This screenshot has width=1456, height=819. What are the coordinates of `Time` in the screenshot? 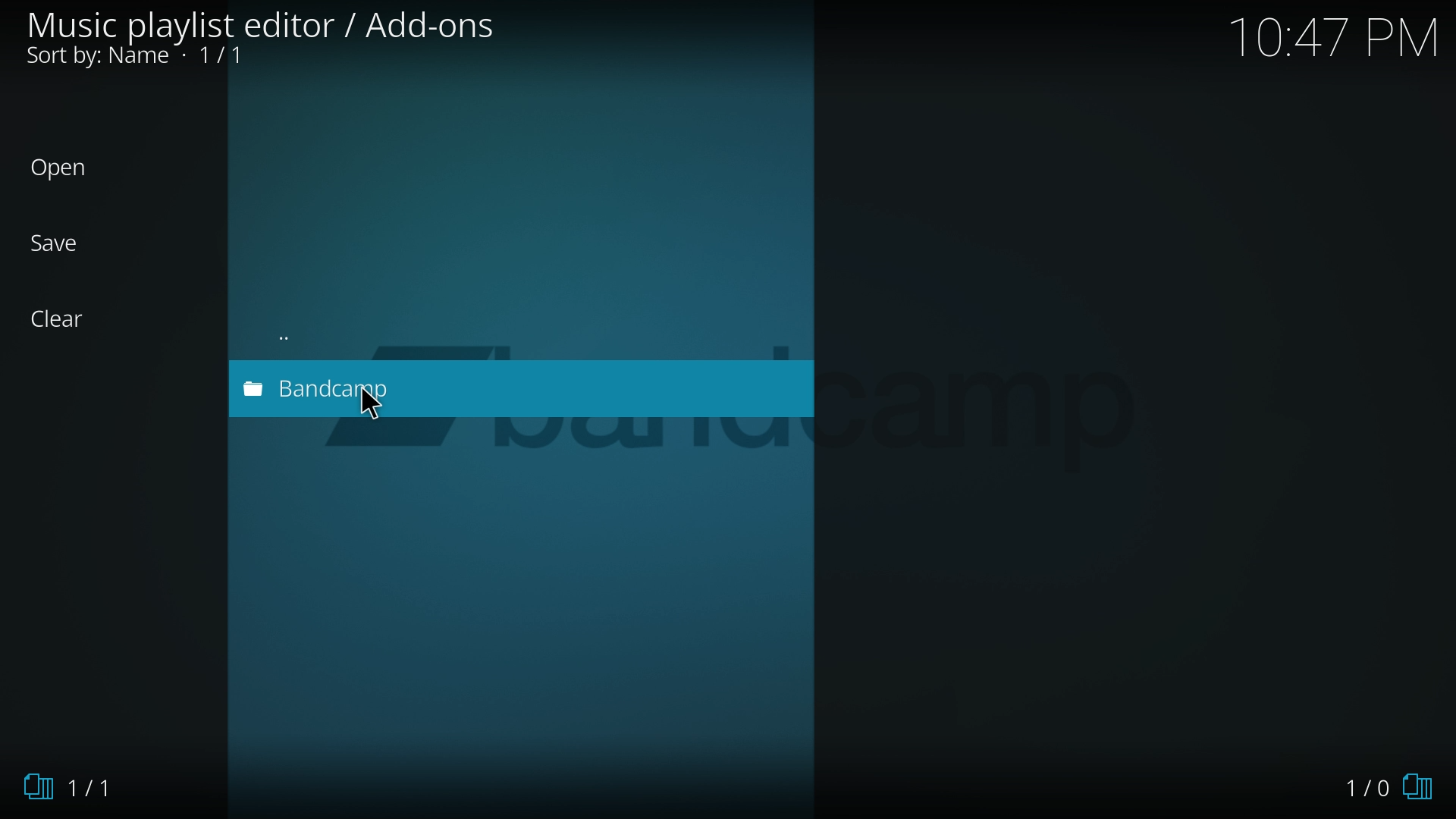 It's located at (1339, 39).